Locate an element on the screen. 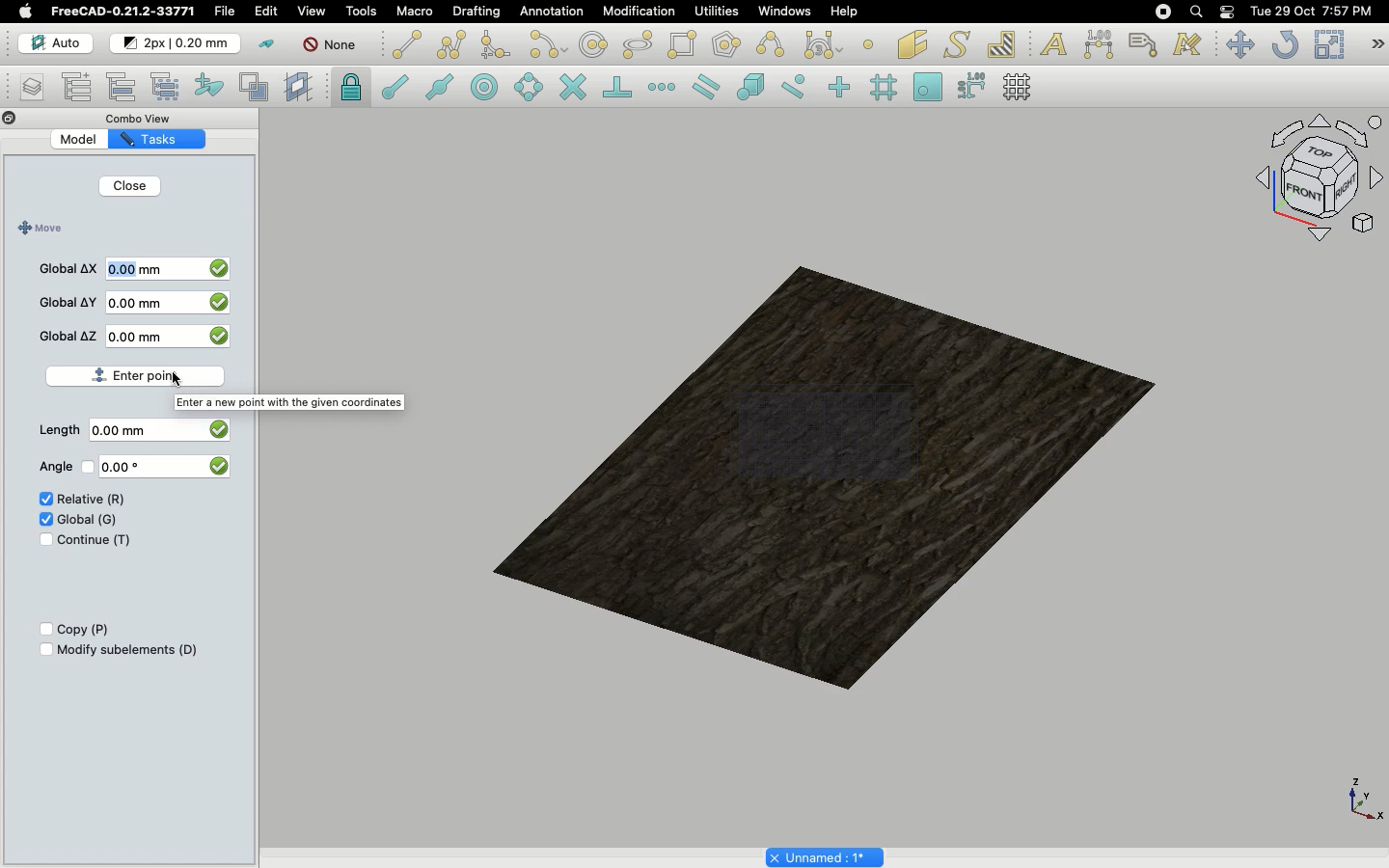 This screenshot has height=868, width=1389. Move to group is located at coordinates (124, 87).